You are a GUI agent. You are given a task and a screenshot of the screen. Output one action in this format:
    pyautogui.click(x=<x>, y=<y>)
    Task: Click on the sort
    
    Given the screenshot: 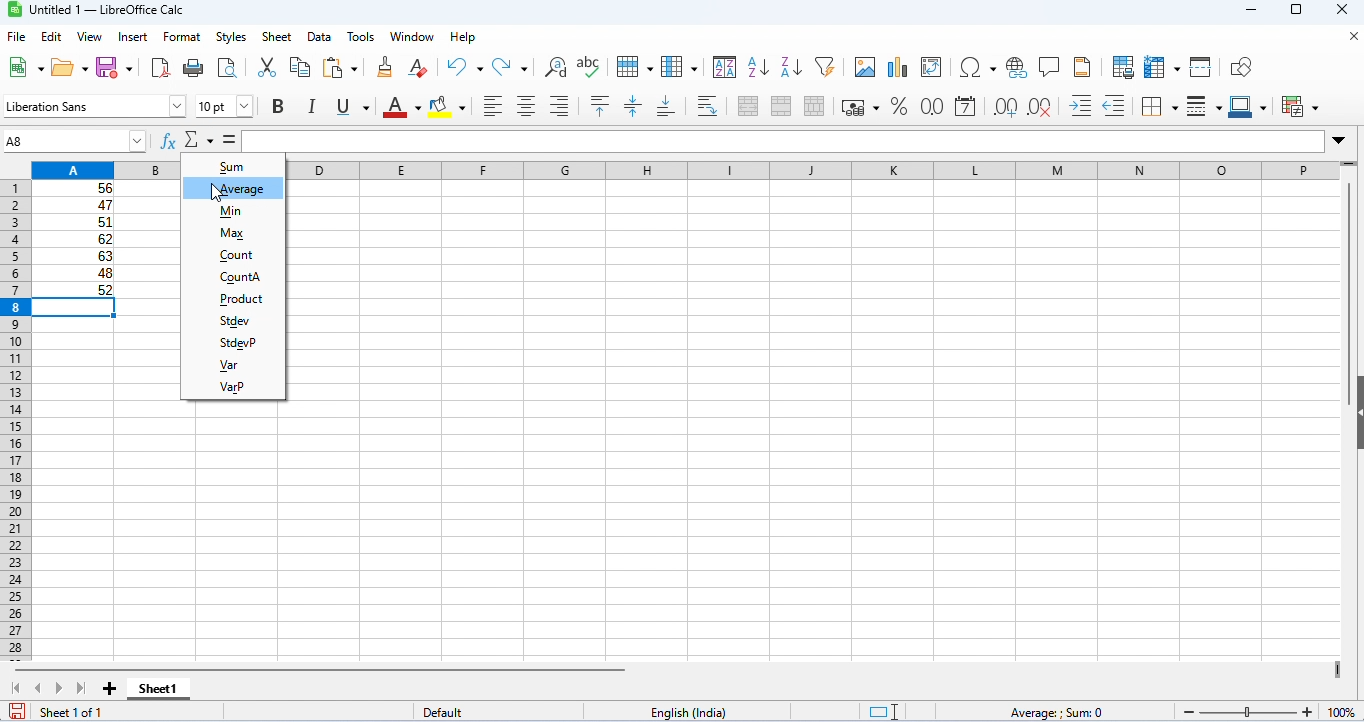 What is the action you would take?
    pyautogui.click(x=725, y=66)
    